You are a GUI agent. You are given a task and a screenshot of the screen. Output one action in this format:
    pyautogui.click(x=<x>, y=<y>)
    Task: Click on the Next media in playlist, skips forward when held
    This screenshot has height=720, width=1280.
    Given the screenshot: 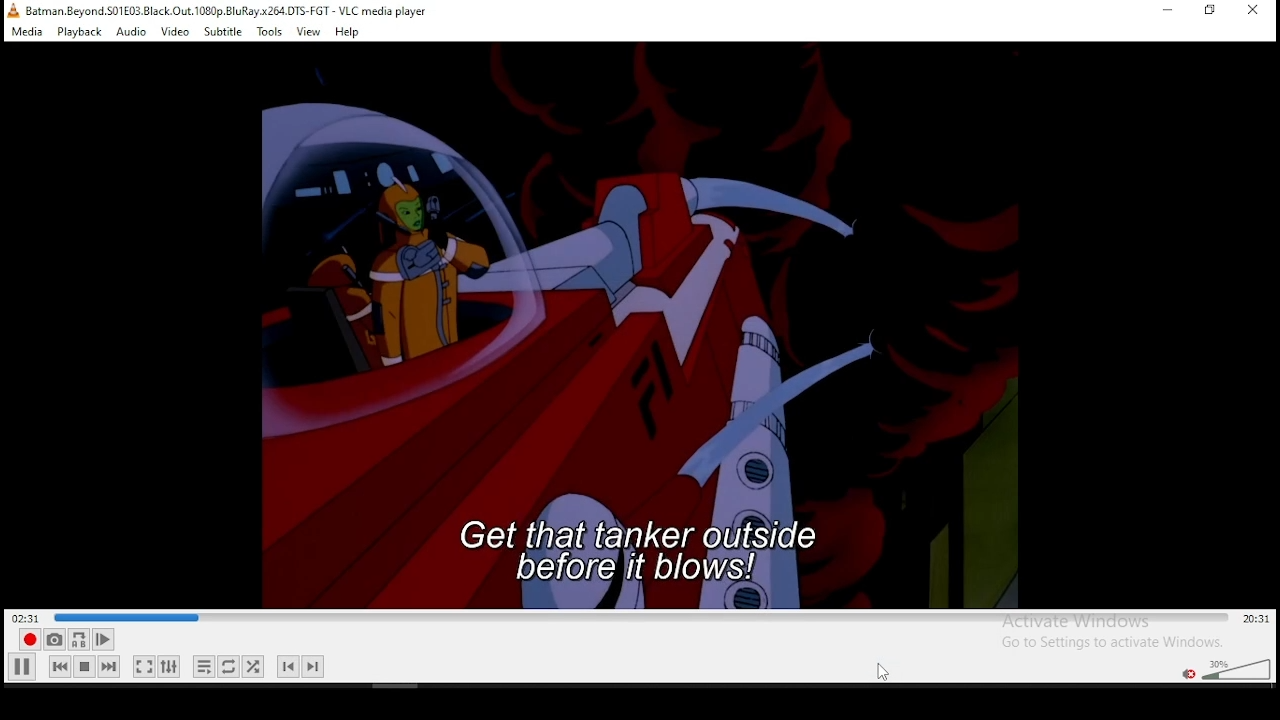 What is the action you would take?
    pyautogui.click(x=108, y=667)
    